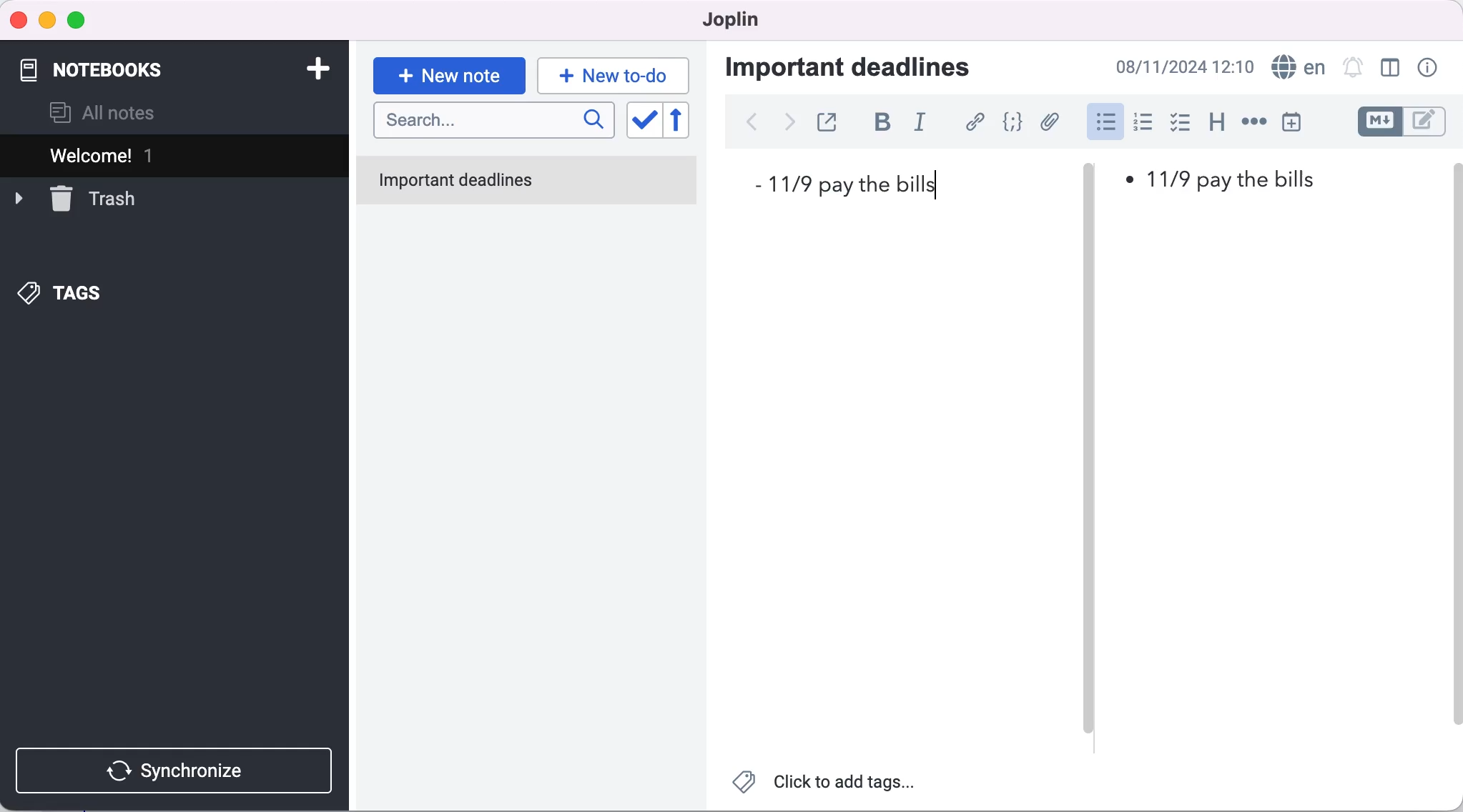  I want to click on checkbox, so click(1181, 124).